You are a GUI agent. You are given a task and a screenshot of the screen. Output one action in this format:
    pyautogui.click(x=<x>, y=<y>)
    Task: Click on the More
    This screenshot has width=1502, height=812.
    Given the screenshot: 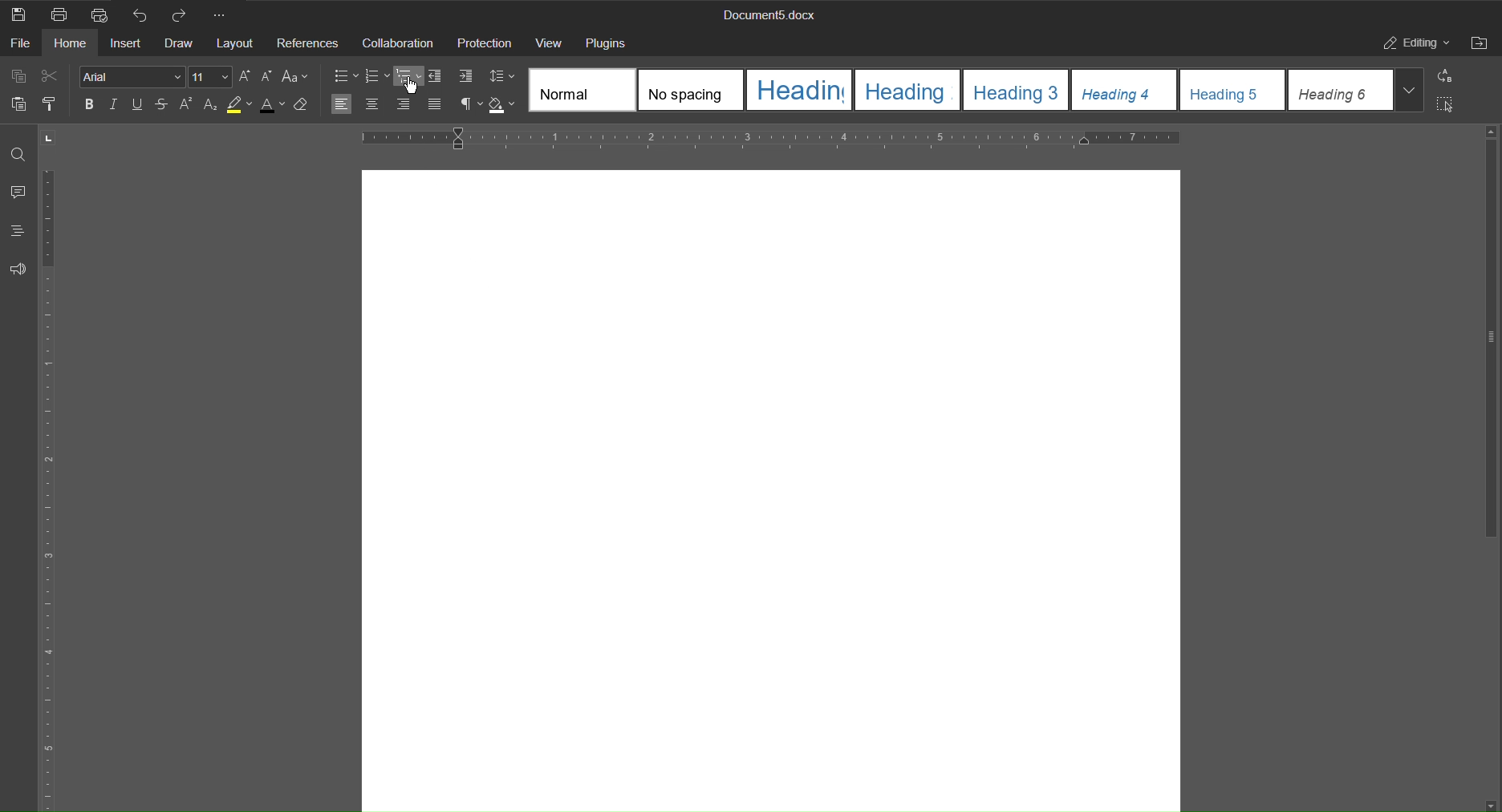 What is the action you would take?
    pyautogui.click(x=223, y=14)
    